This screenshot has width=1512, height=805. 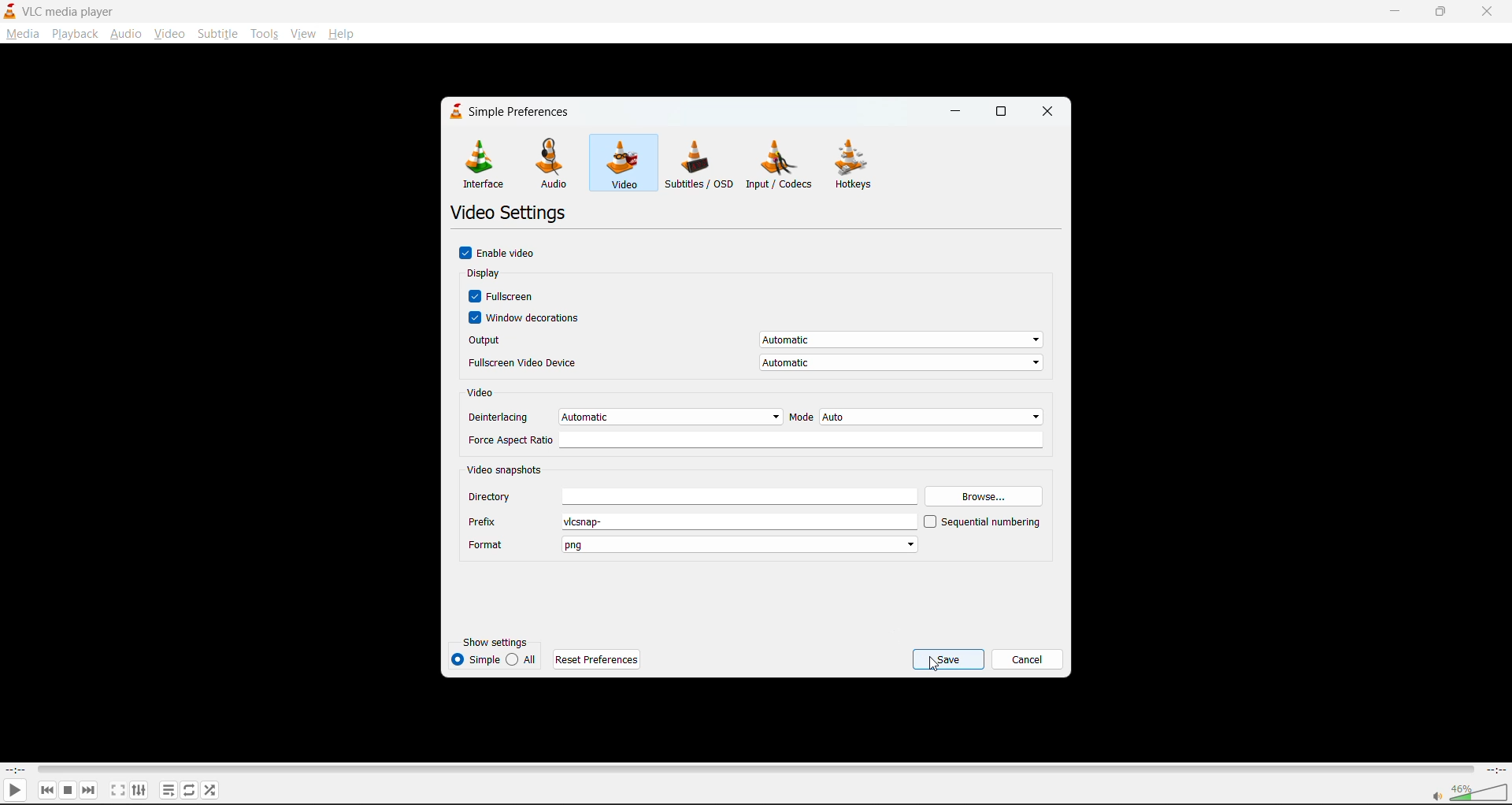 I want to click on video, so click(x=623, y=165).